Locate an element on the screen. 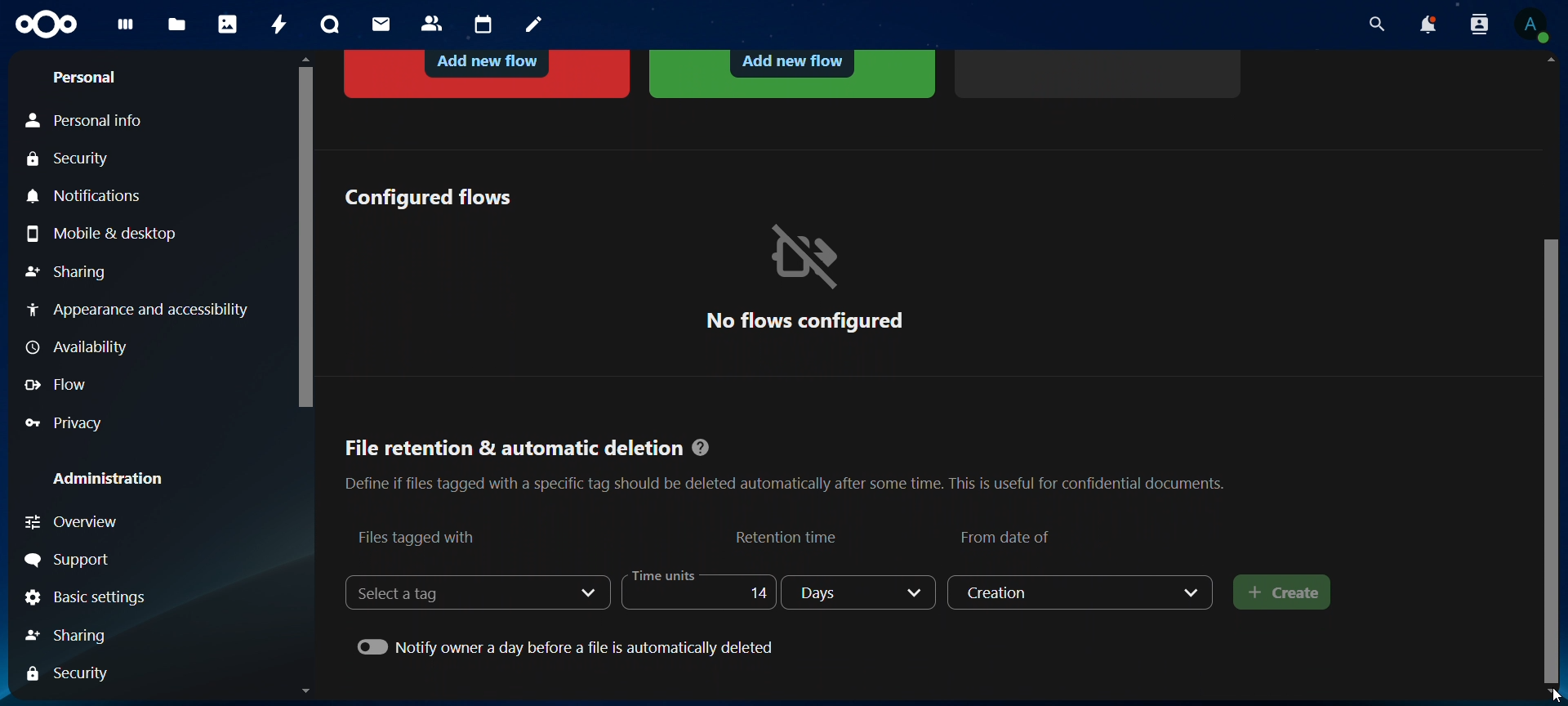 The image size is (1568, 706). notes is located at coordinates (537, 25).